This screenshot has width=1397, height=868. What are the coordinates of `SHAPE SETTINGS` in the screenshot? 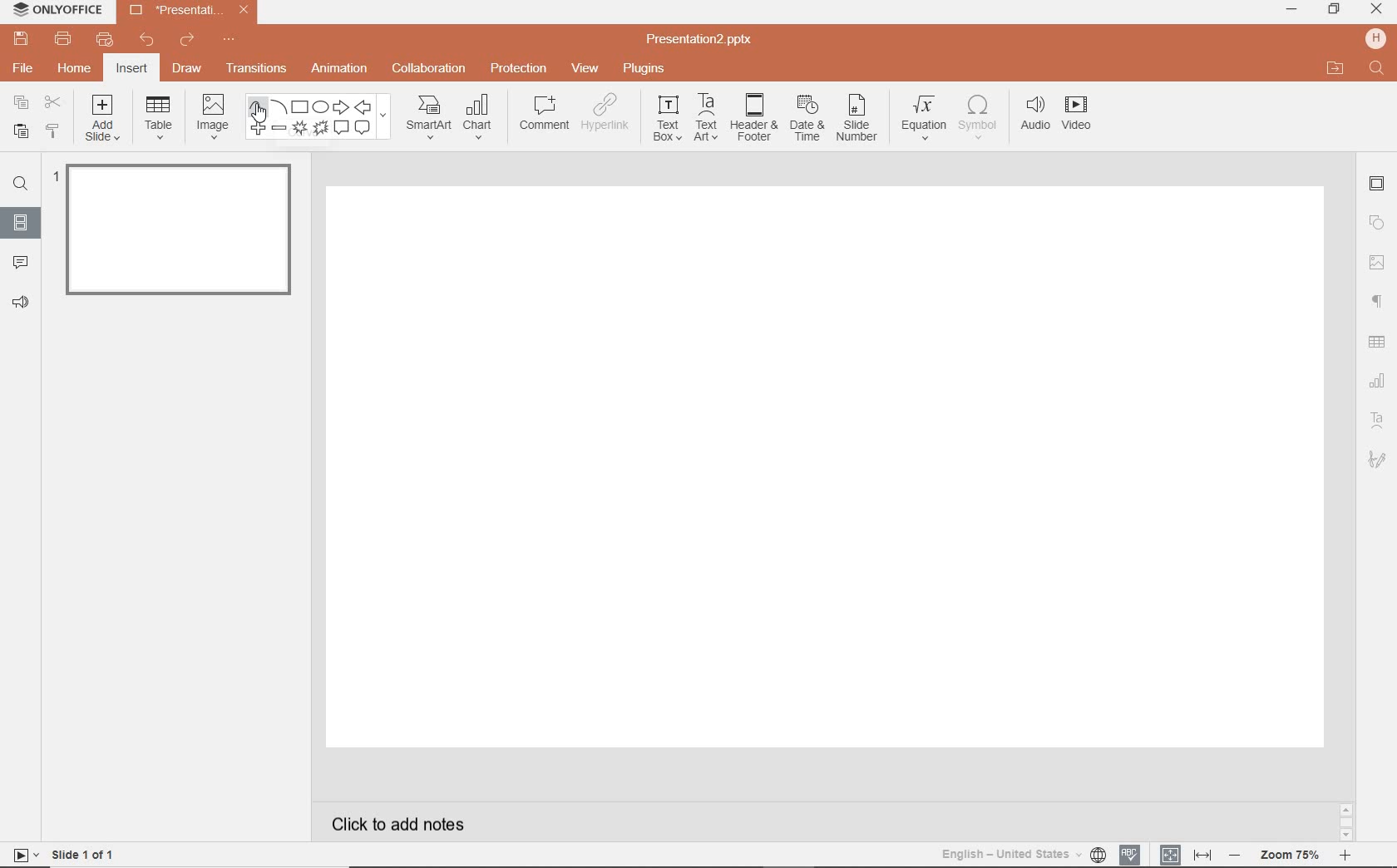 It's located at (1378, 221).